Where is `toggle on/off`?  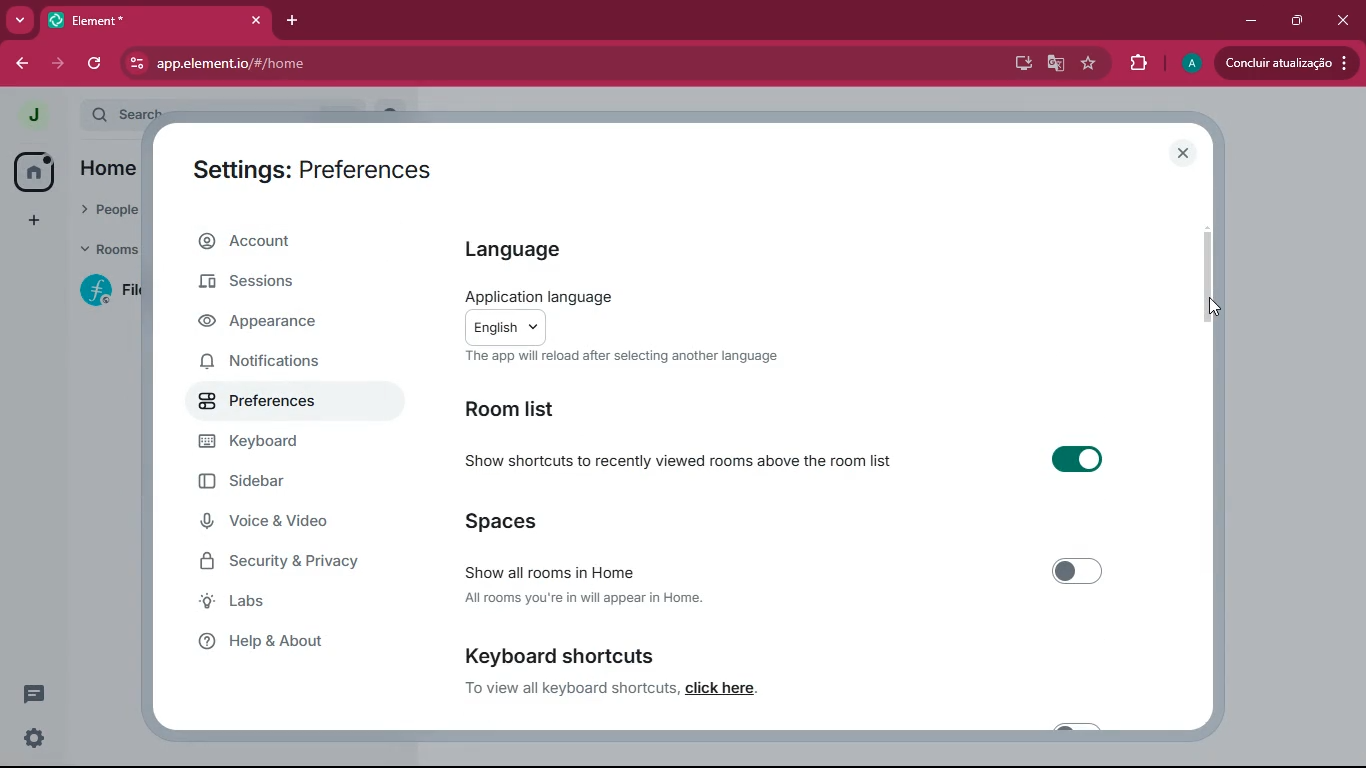
toggle on/off is located at coordinates (1077, 459).